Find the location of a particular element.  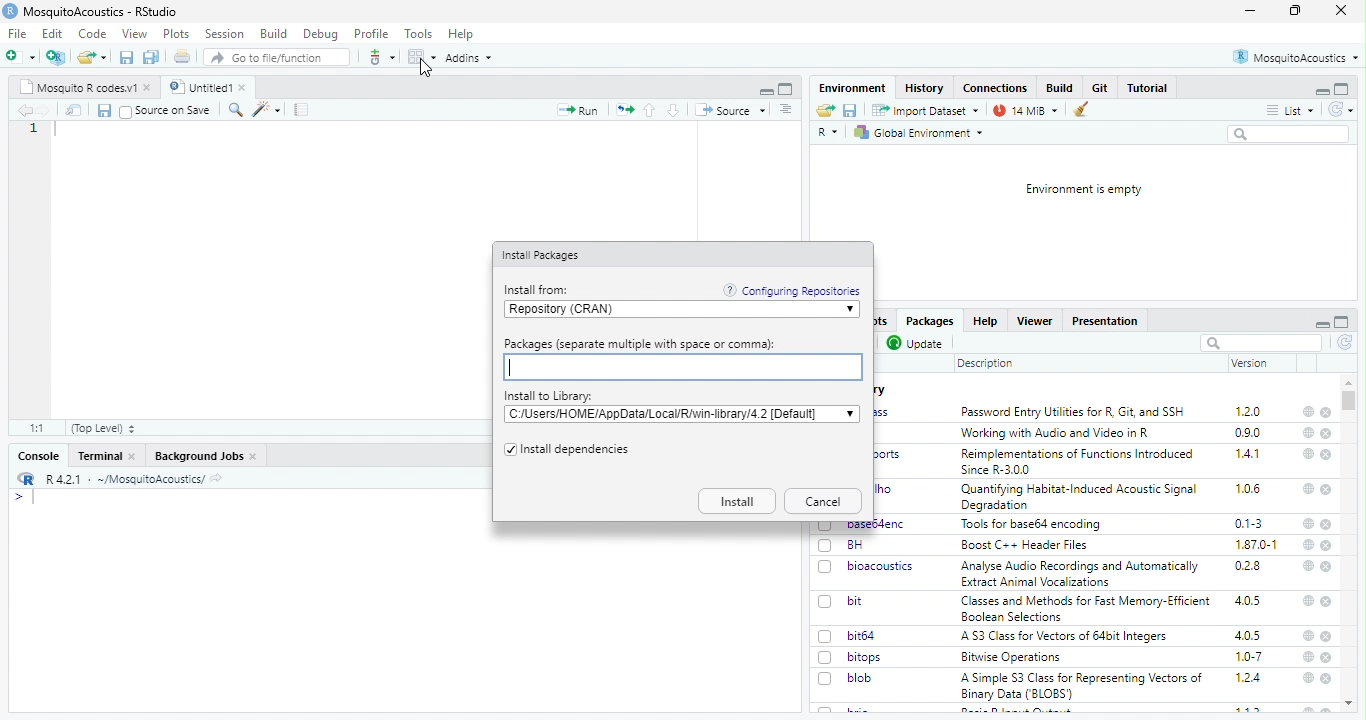

share is located at coordinates (826, 110).